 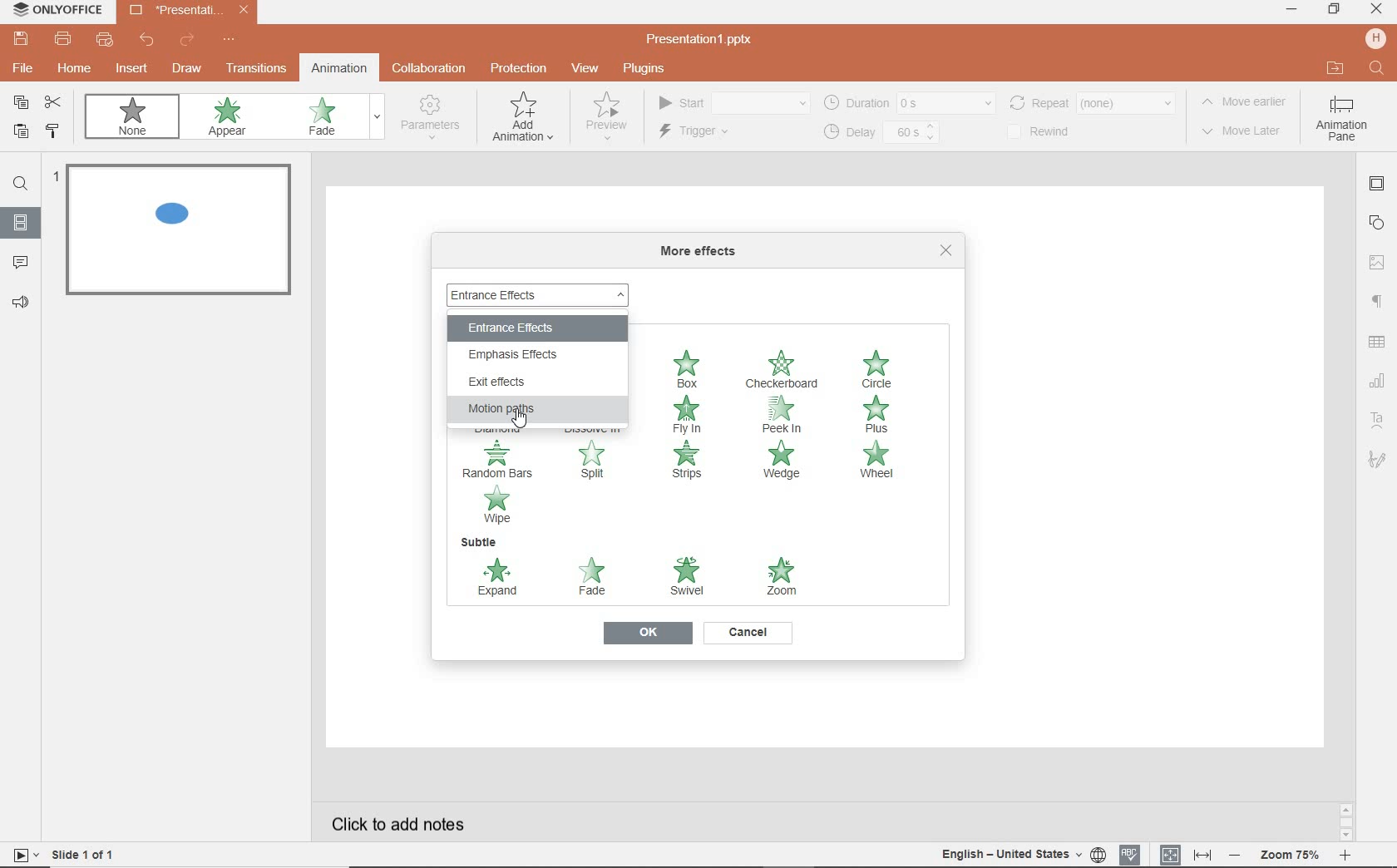 I want to click on EMPHASIS, so click(x=527, y=354).